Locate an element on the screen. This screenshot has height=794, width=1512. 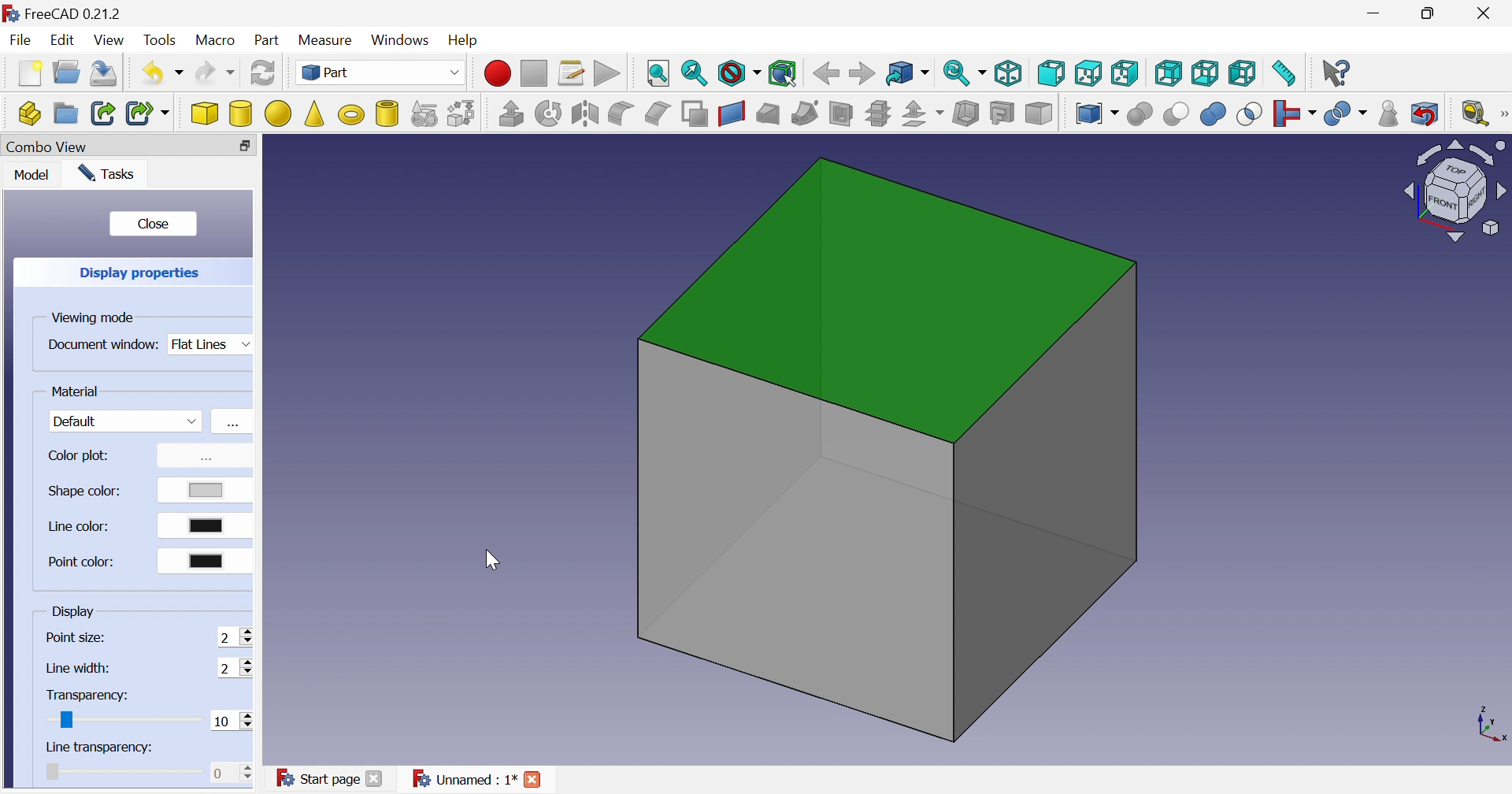
Fillet is located at coordinates (620, 114).